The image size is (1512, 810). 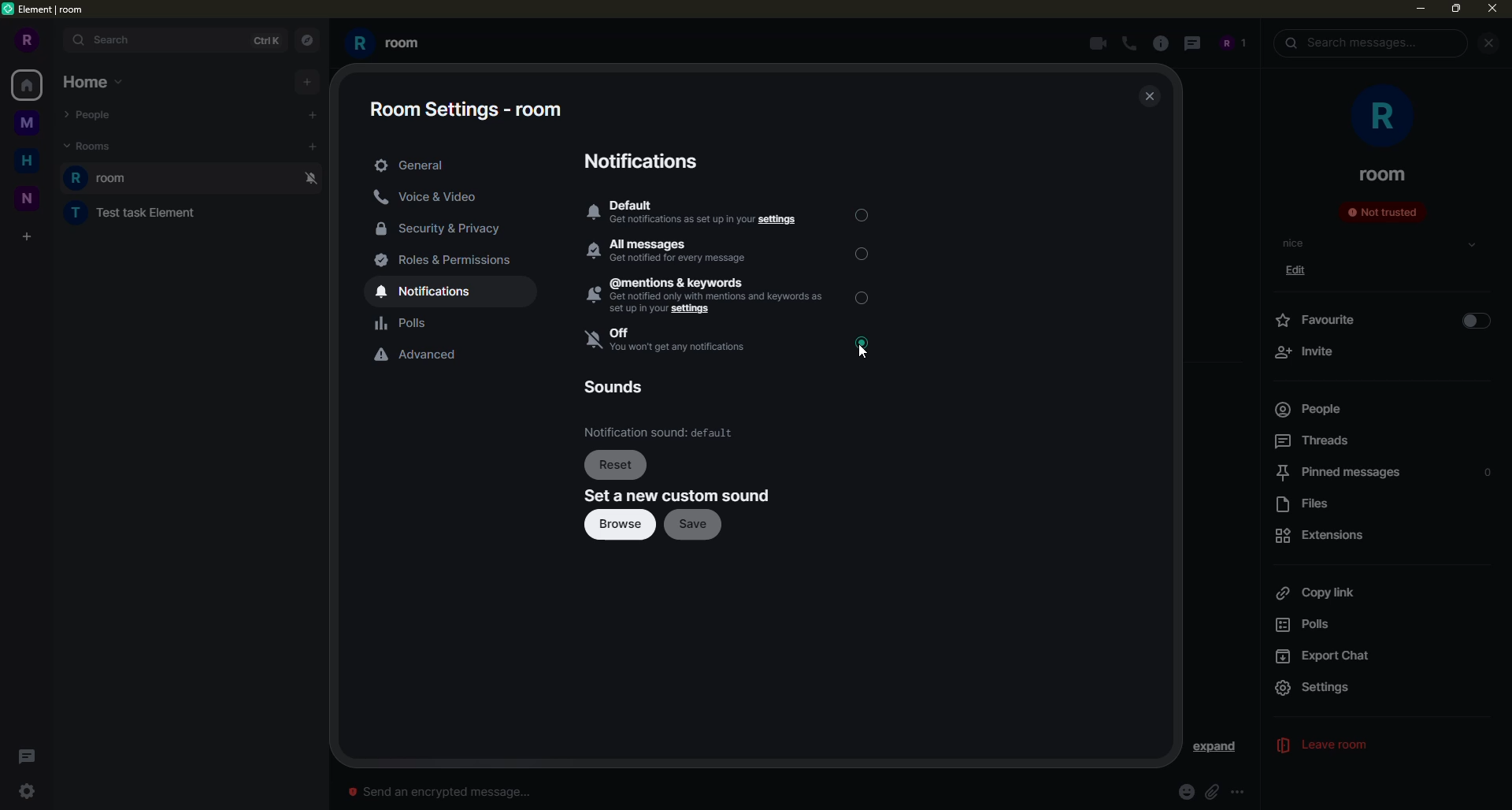 I want to click on navigation, so click(x=306, y=38).